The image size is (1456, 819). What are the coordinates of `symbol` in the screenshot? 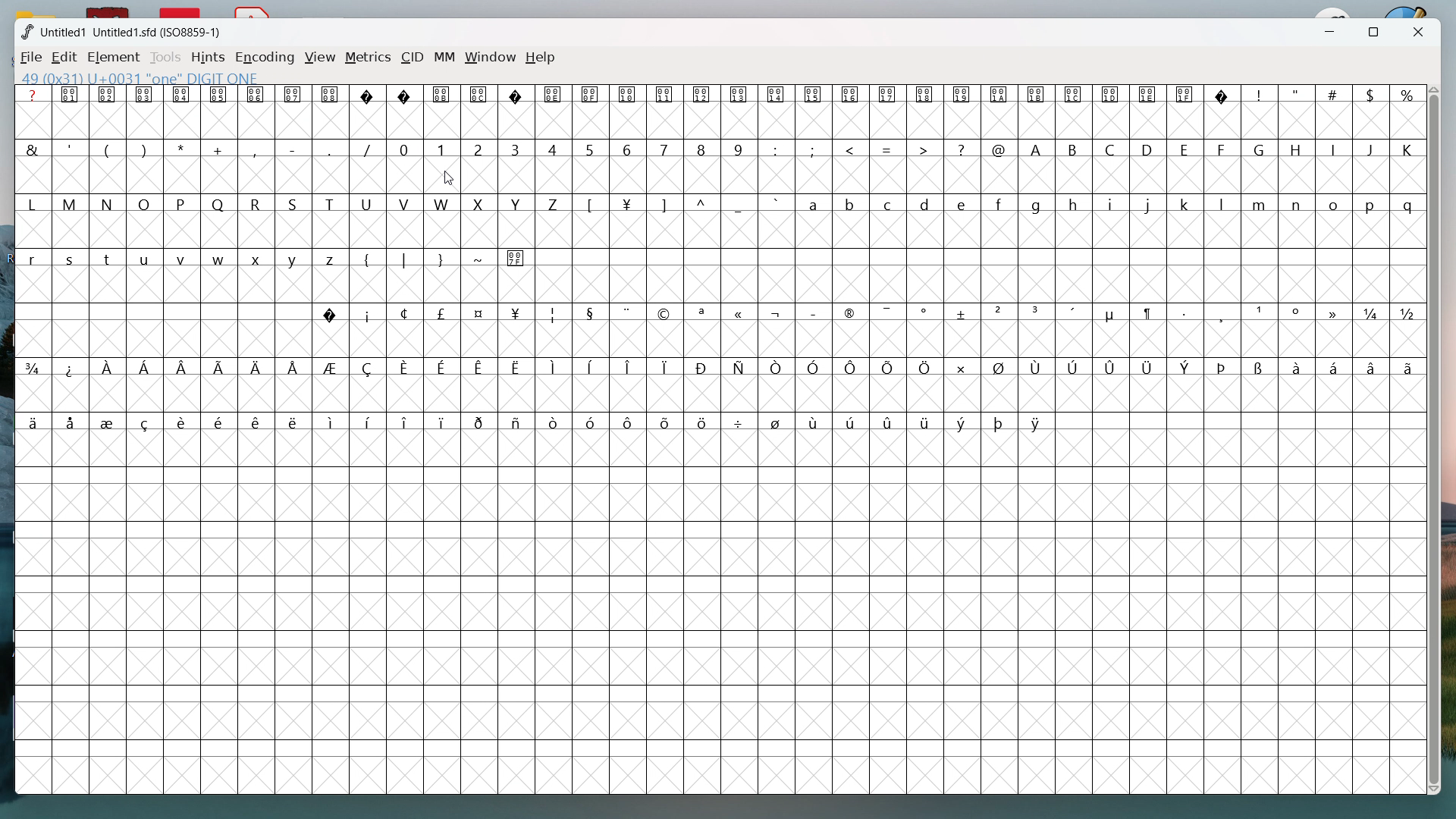 It's located at (107, 95).